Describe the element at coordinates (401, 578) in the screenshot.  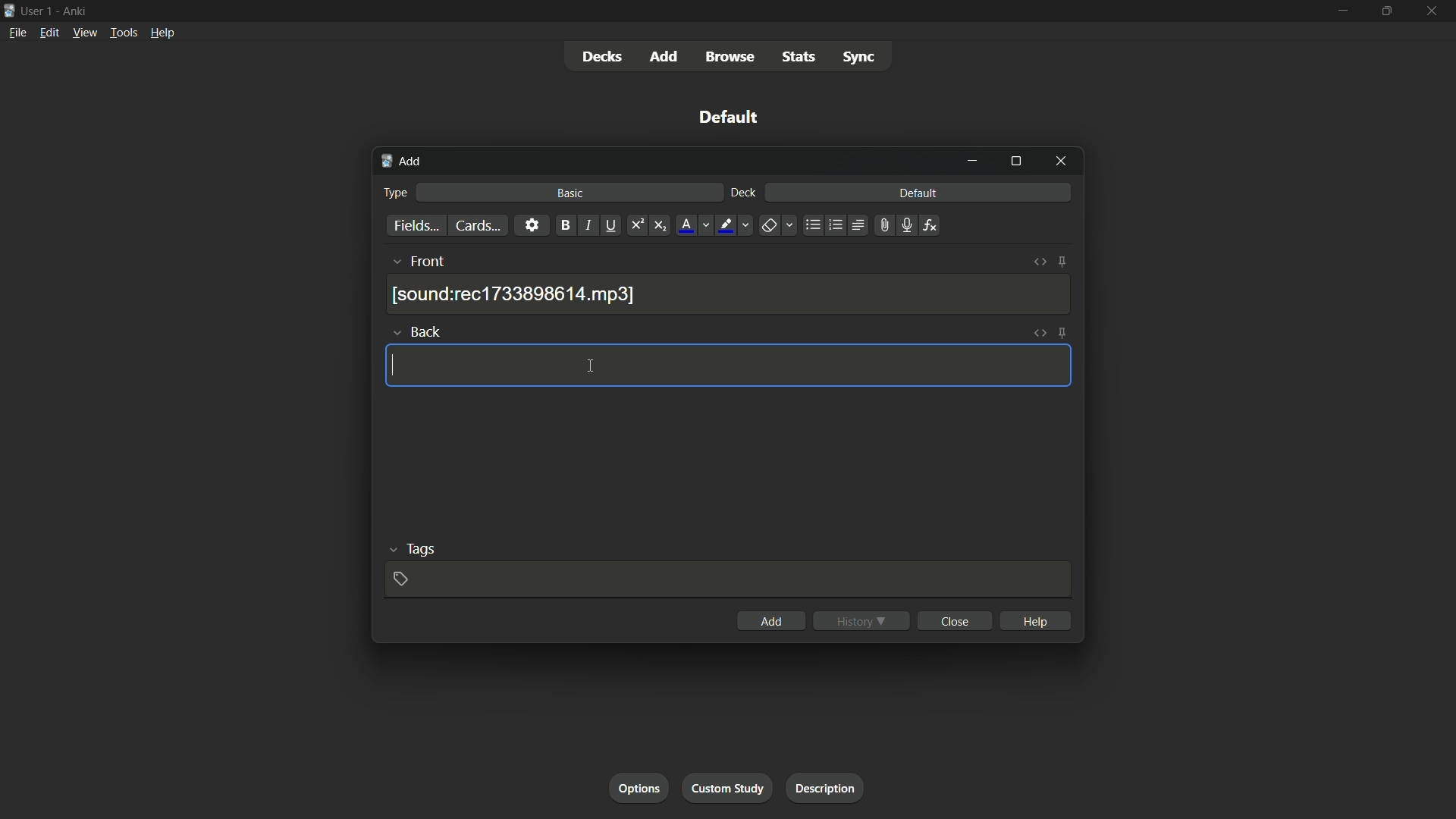
I see `add tag` at that location.